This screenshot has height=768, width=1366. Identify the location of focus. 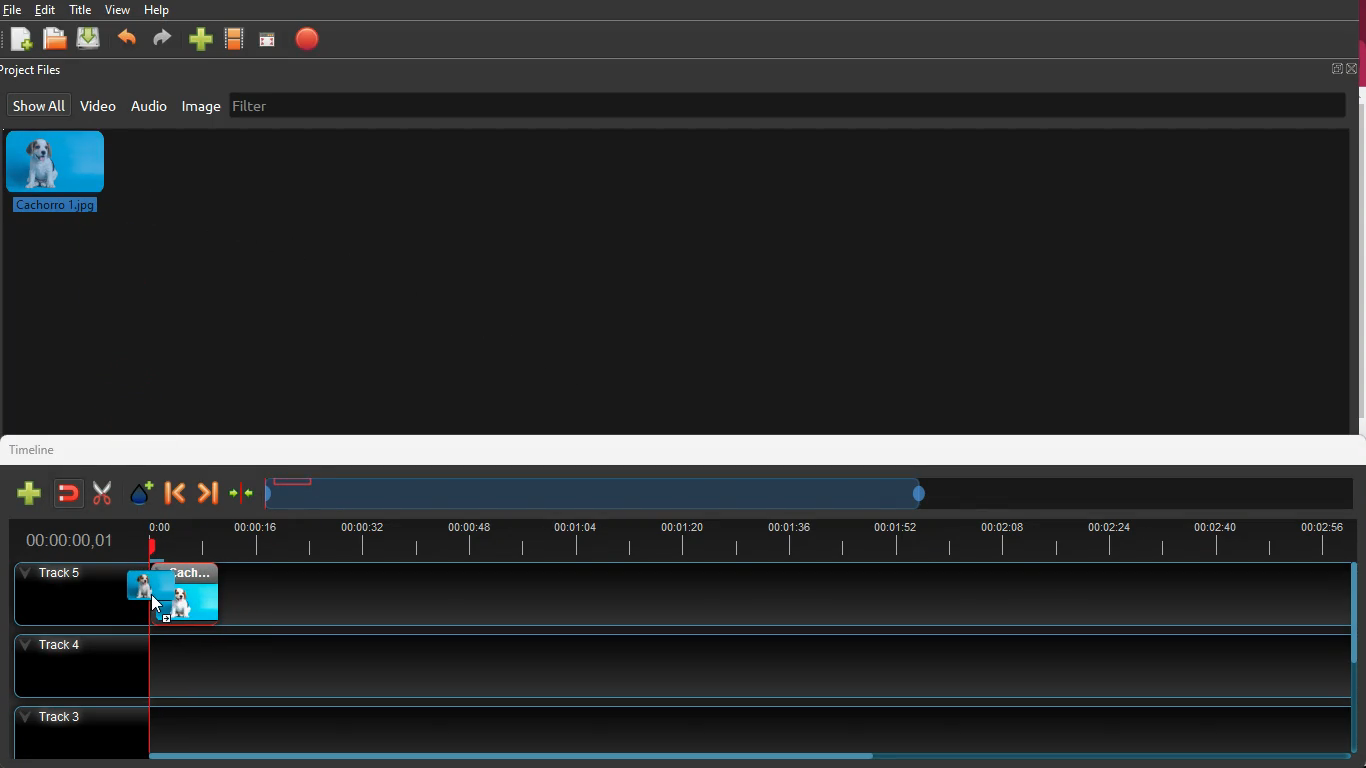
(268, 39).